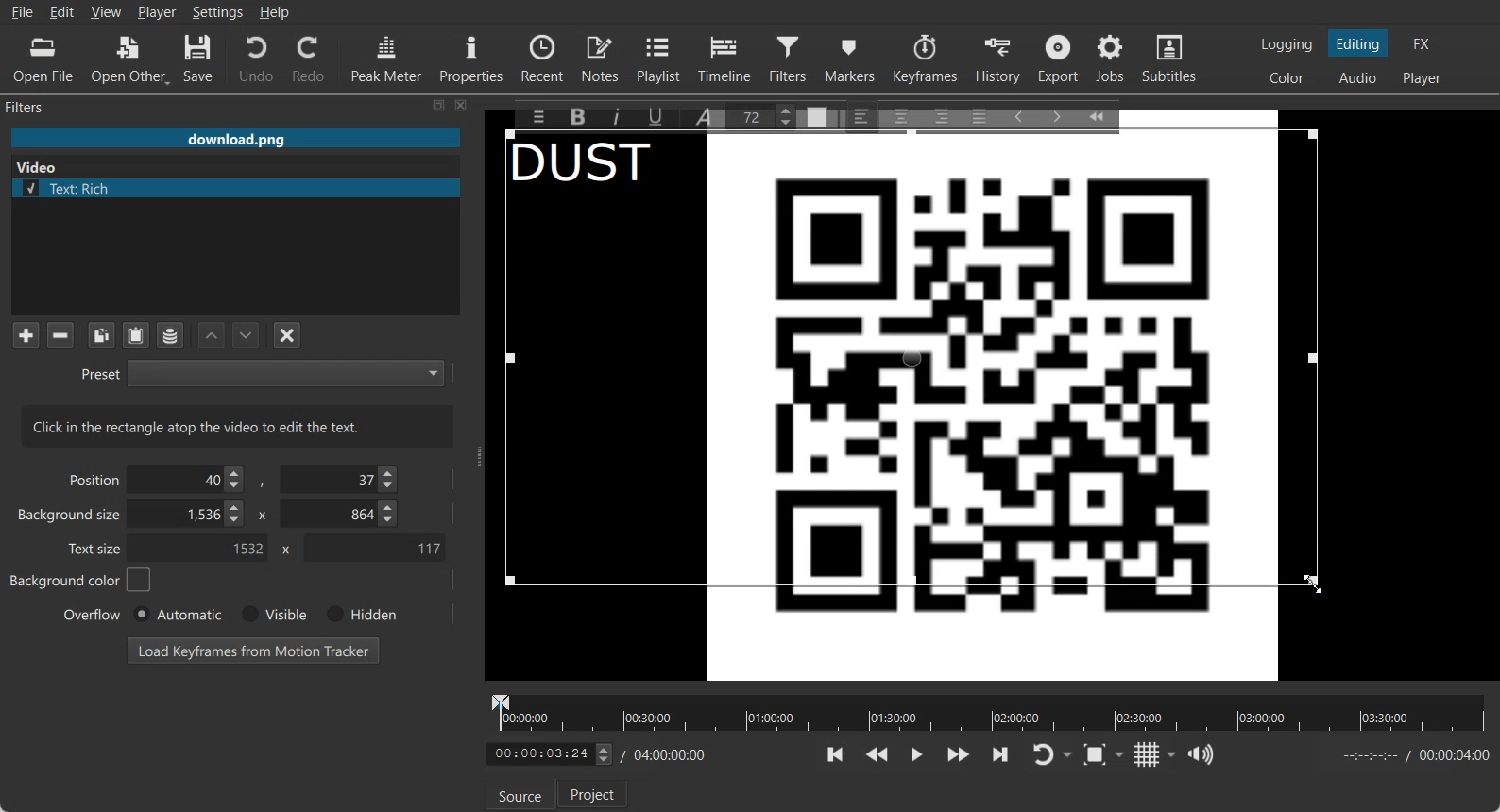 The image size is (1500, 812). Describe the element at coordinates (817, 118) in the screenshot. I see `Text Color` at that location.